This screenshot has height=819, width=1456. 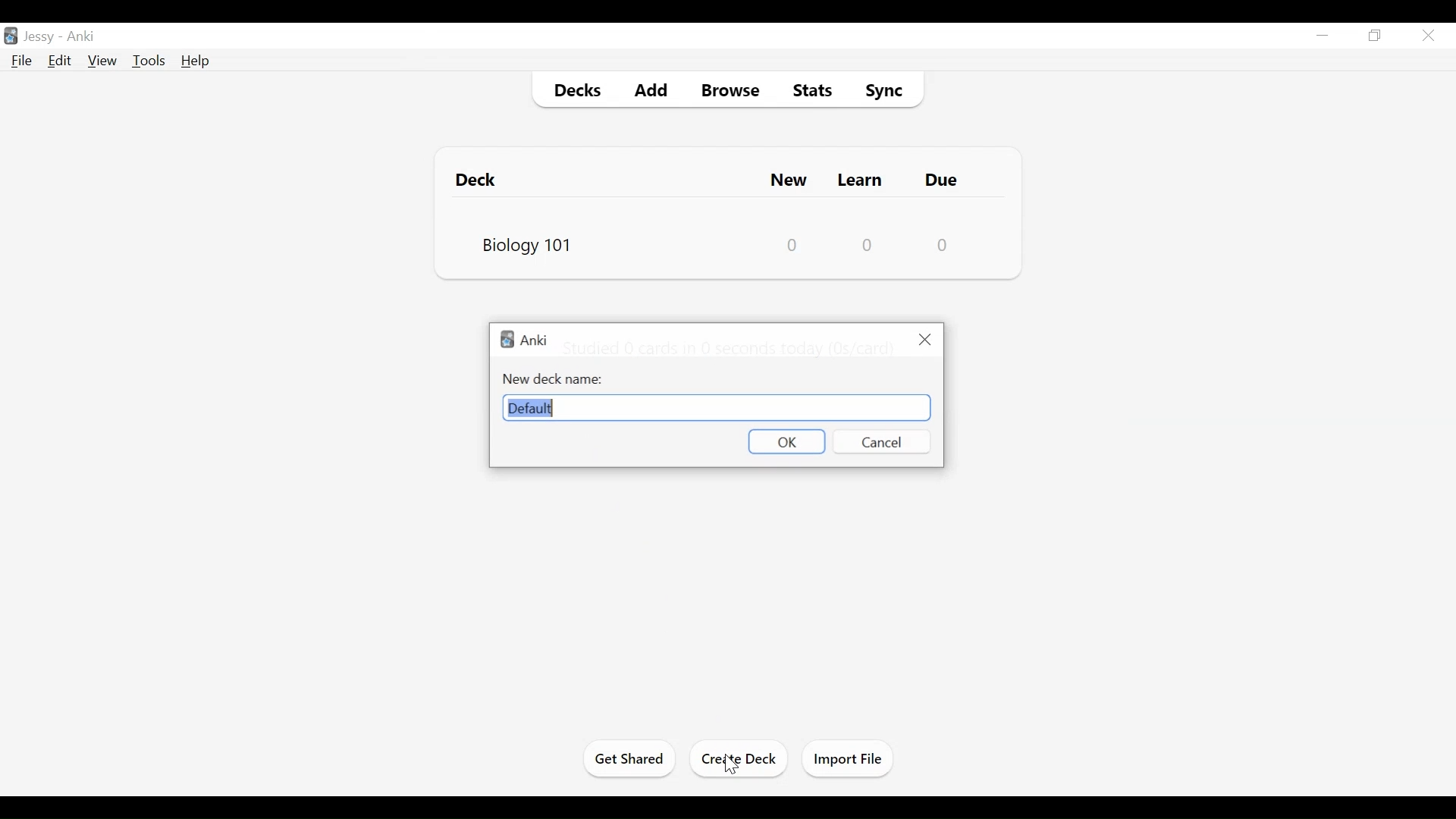 What do you see at coordinates (1323, 34) in the screenshot?
I see `minimize` at bounding box center [1323, 34].